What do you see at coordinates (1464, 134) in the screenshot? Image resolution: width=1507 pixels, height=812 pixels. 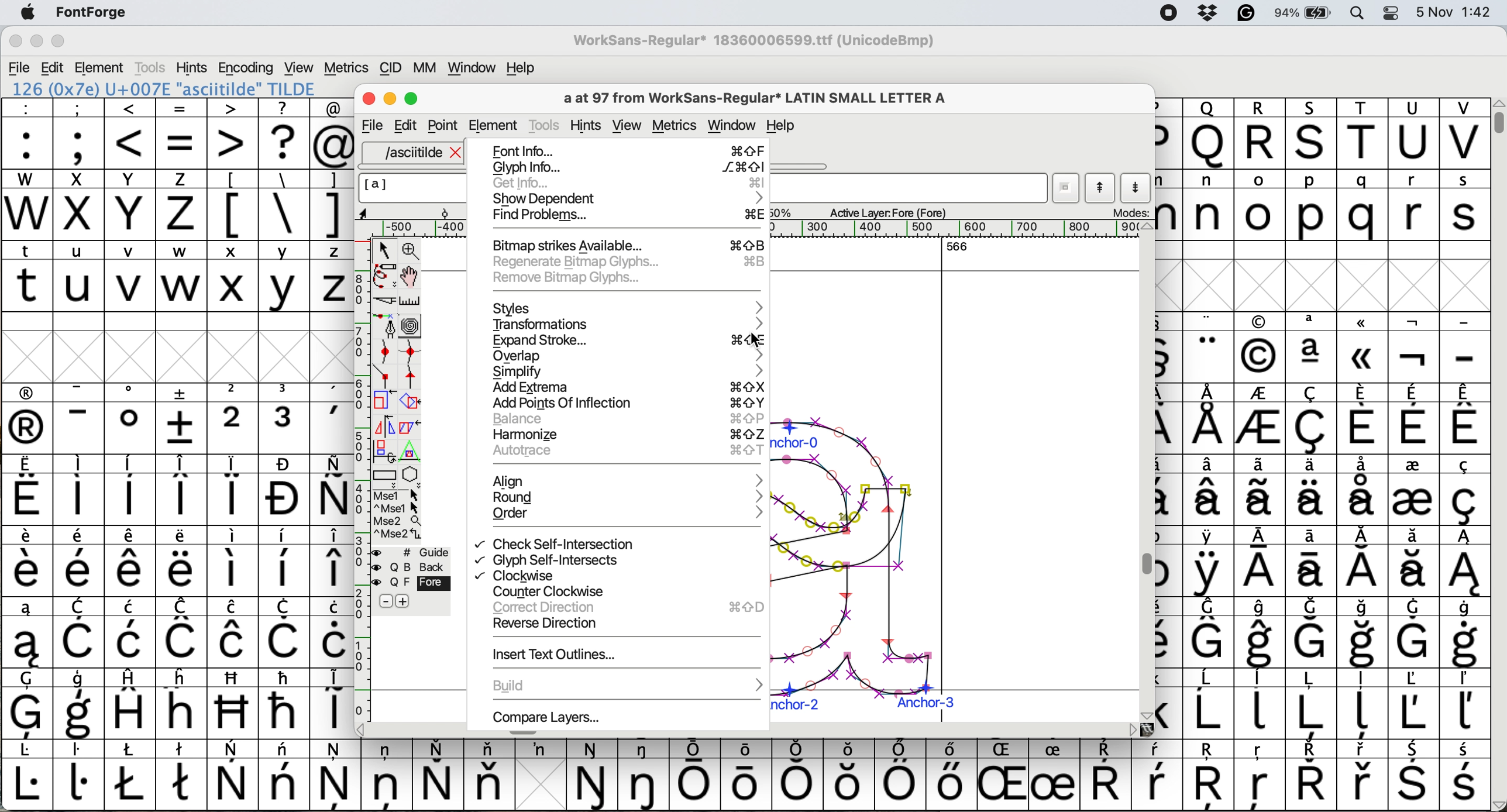 I see `V` at bounding box center [1464, 134].